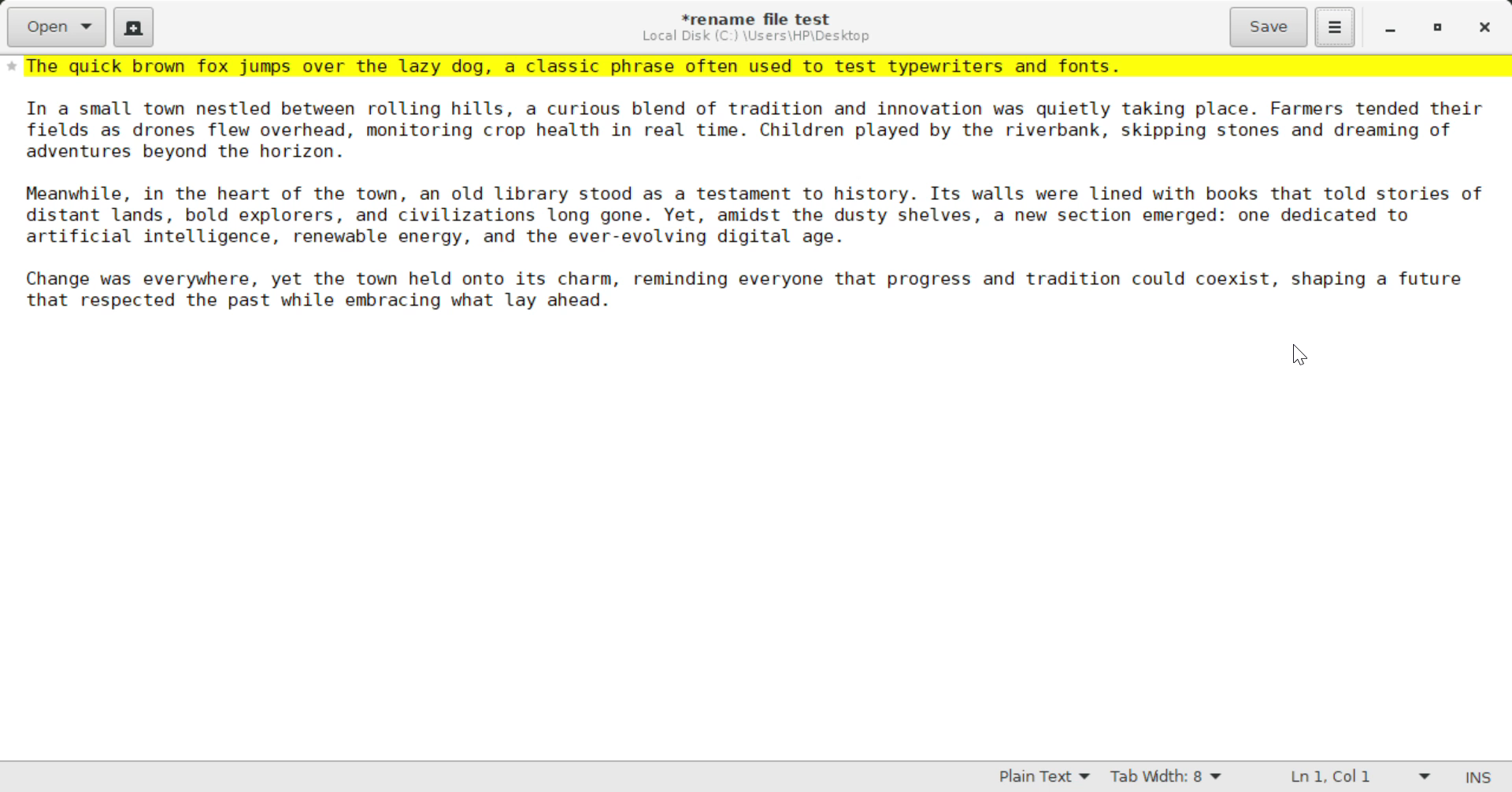 The height and width of the screenshot is (792, 1512). What do you see at coordinates (1334, 27) in the screenshot?
I see `Menu` at bounding box center [1334, 27].